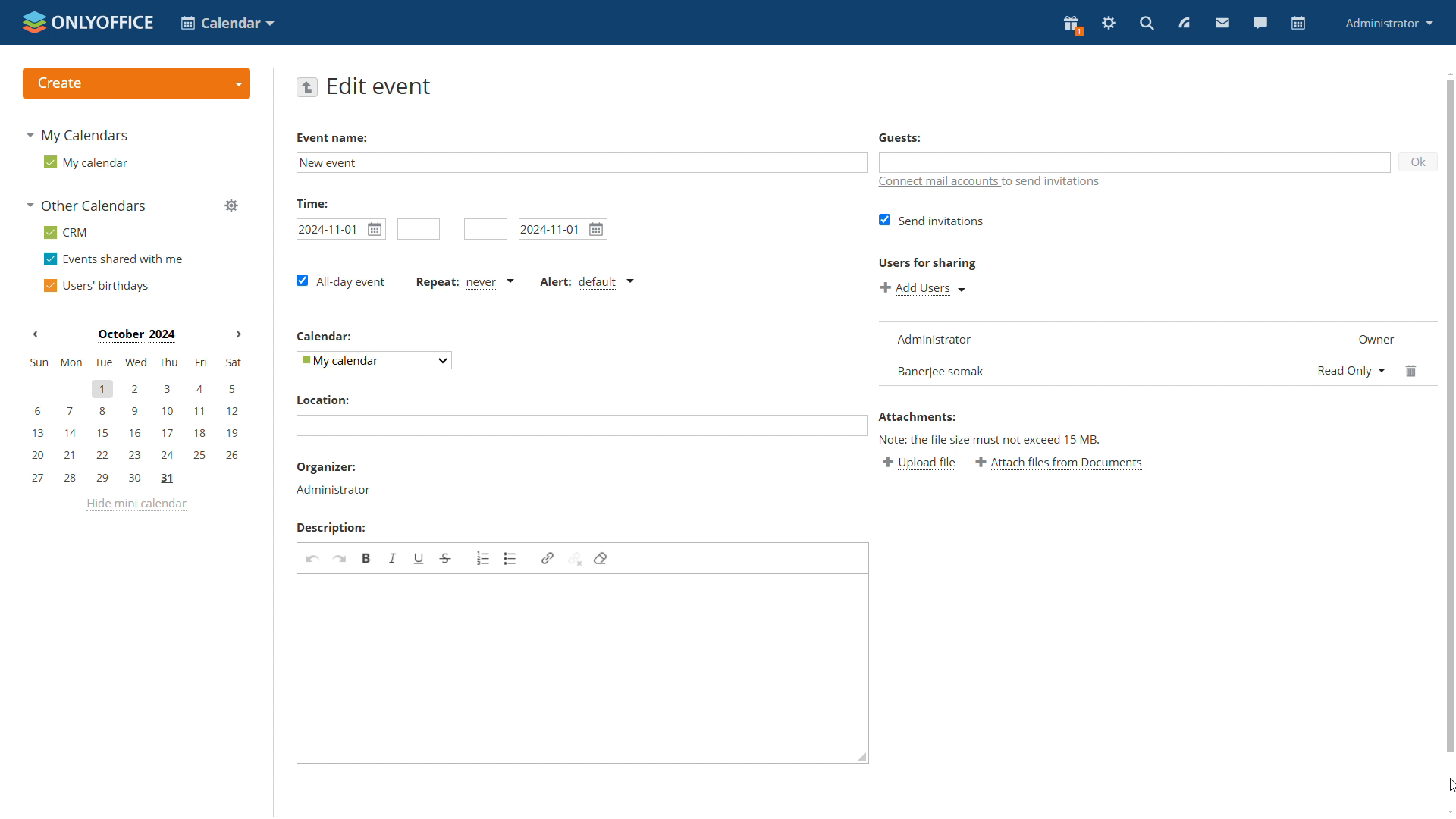 Image resolution: width=1456 pixels, height=819 pixels. What do you see at coordinates (1148, 335) in the screenshot?
I see `list of guests` at bounding box center [1148, 335].